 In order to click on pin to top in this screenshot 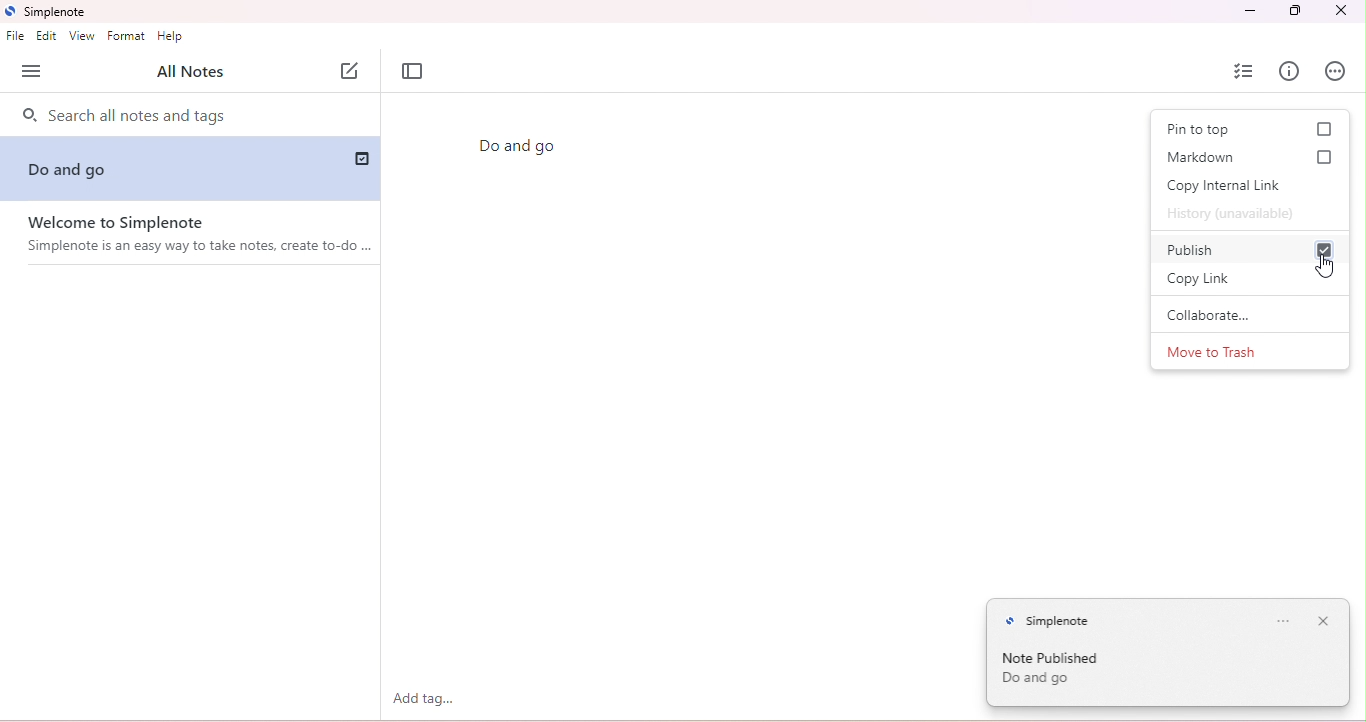, I will do `click(1199, 130)`.